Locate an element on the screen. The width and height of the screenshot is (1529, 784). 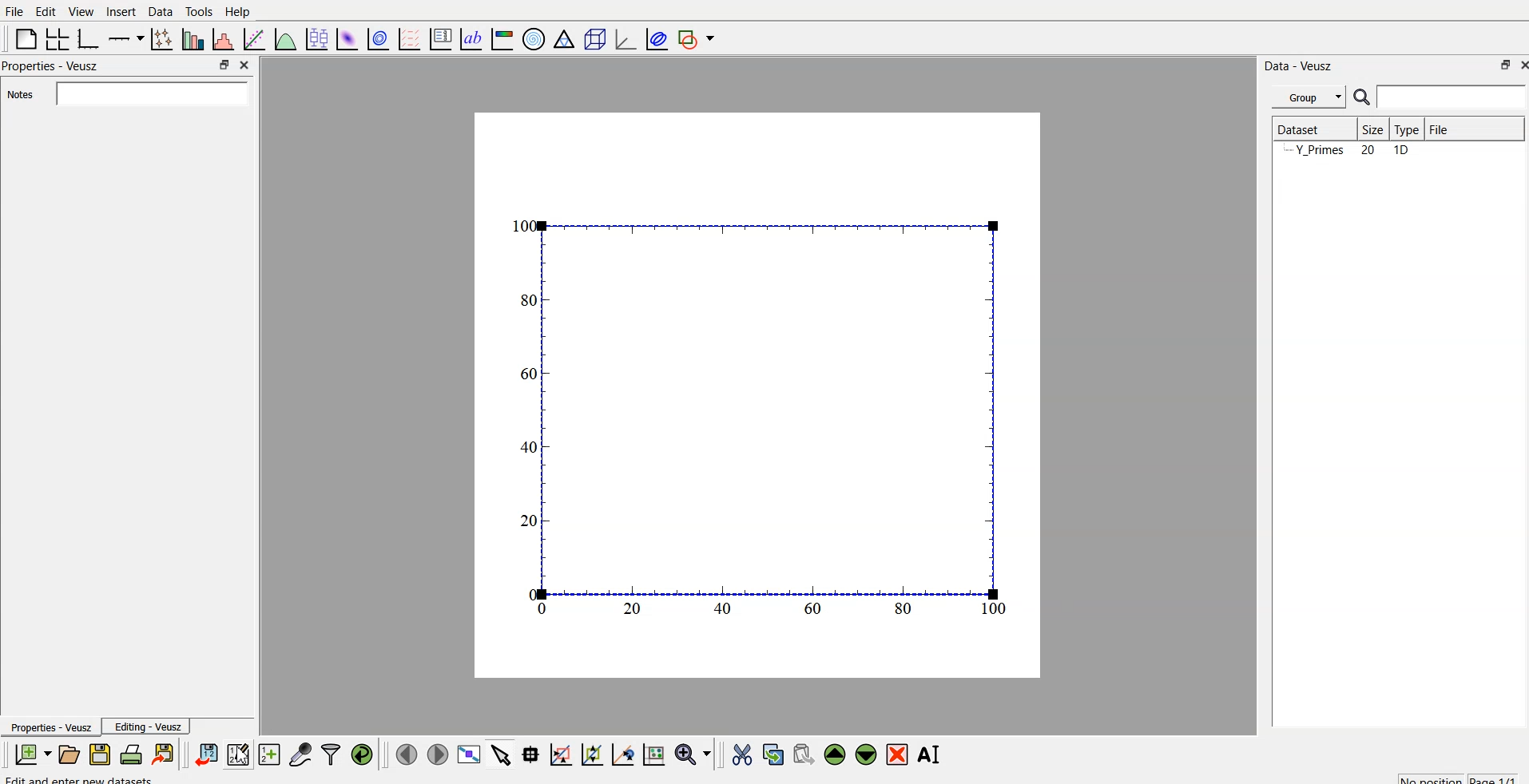
draw rectangle to zoom is located at coordinates (560, 754).